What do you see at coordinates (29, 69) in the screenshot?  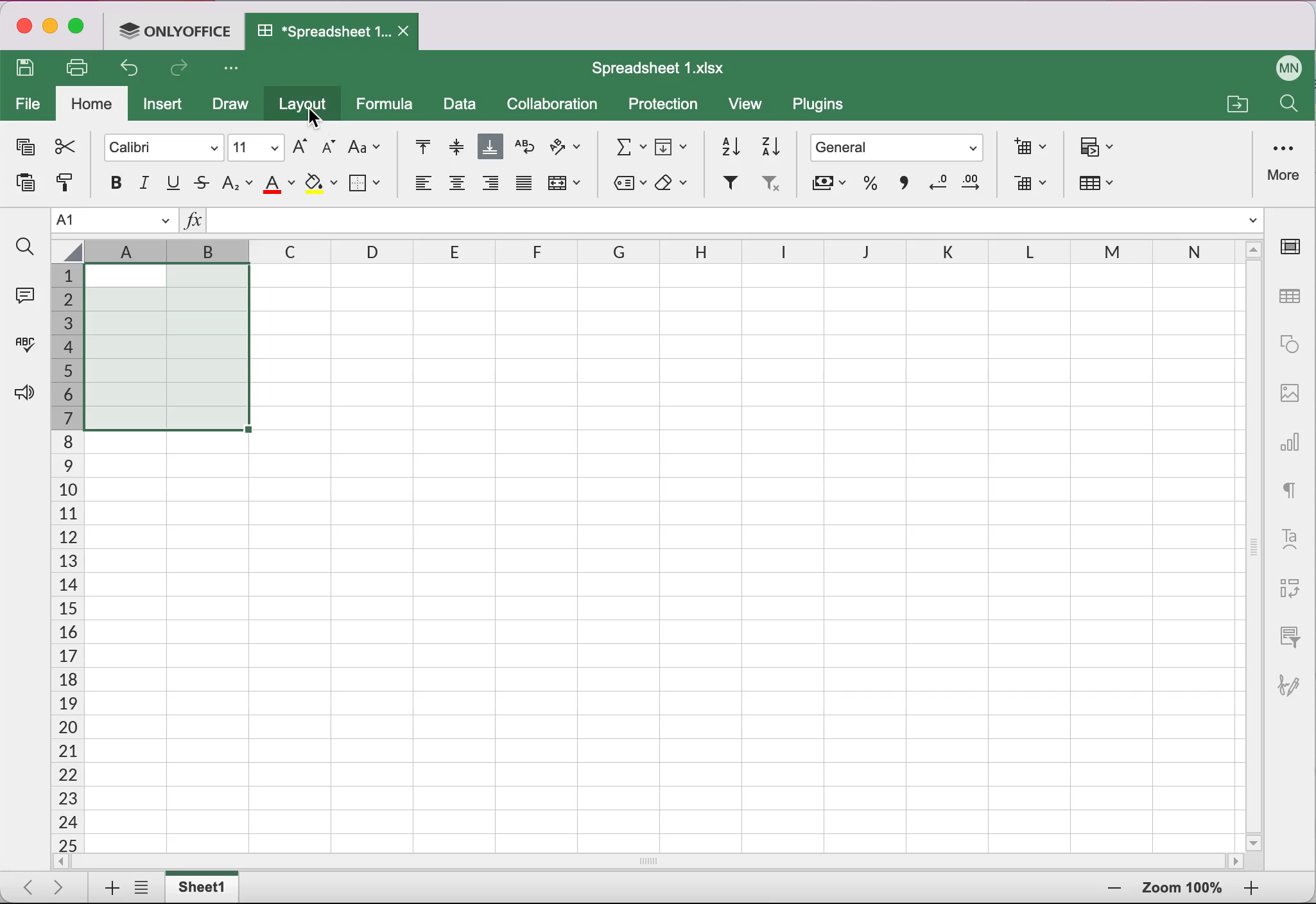 I see `save` at bounding box center [29, 69].